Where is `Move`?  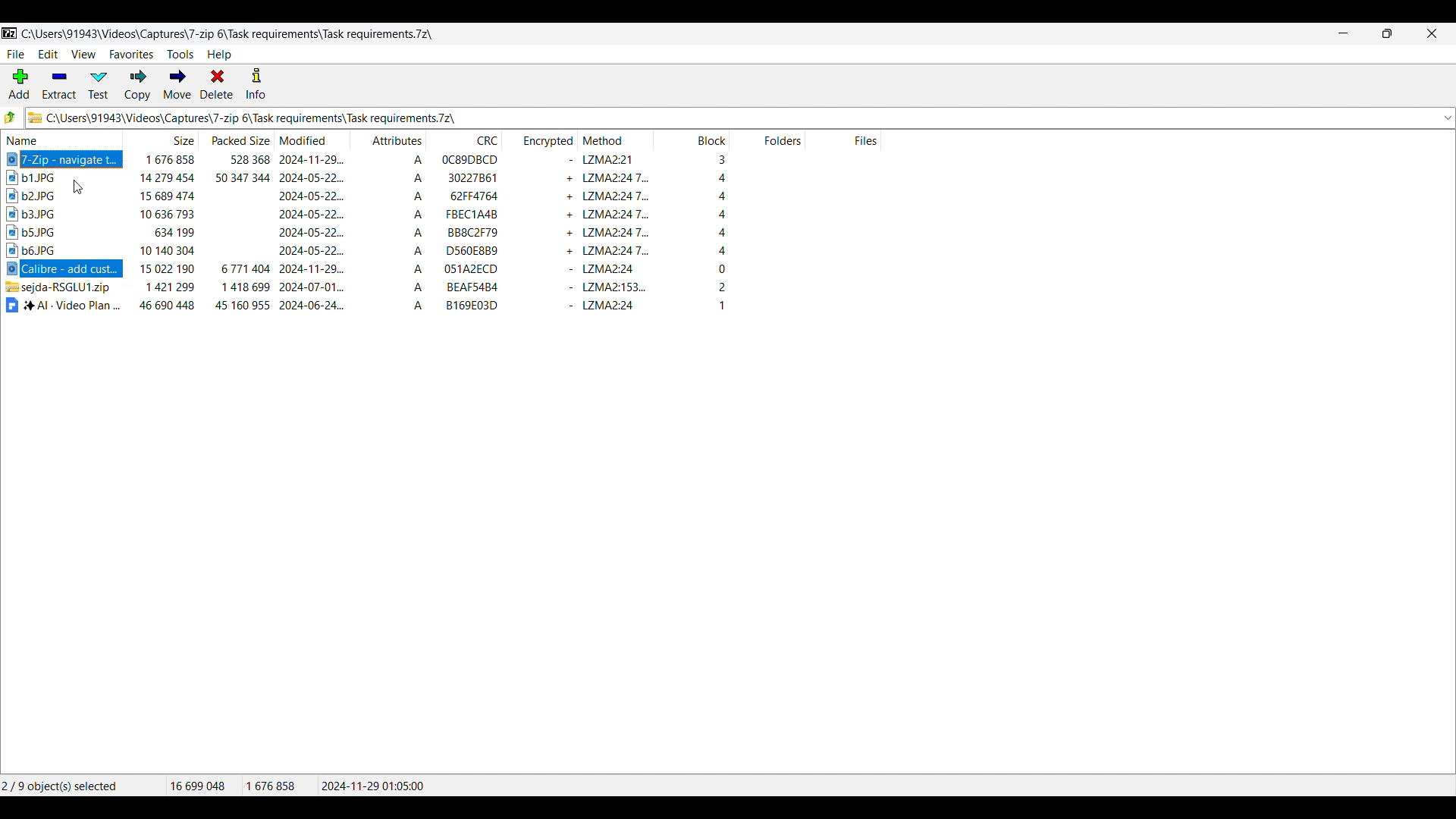
Move is located at coordinates (177, 84).